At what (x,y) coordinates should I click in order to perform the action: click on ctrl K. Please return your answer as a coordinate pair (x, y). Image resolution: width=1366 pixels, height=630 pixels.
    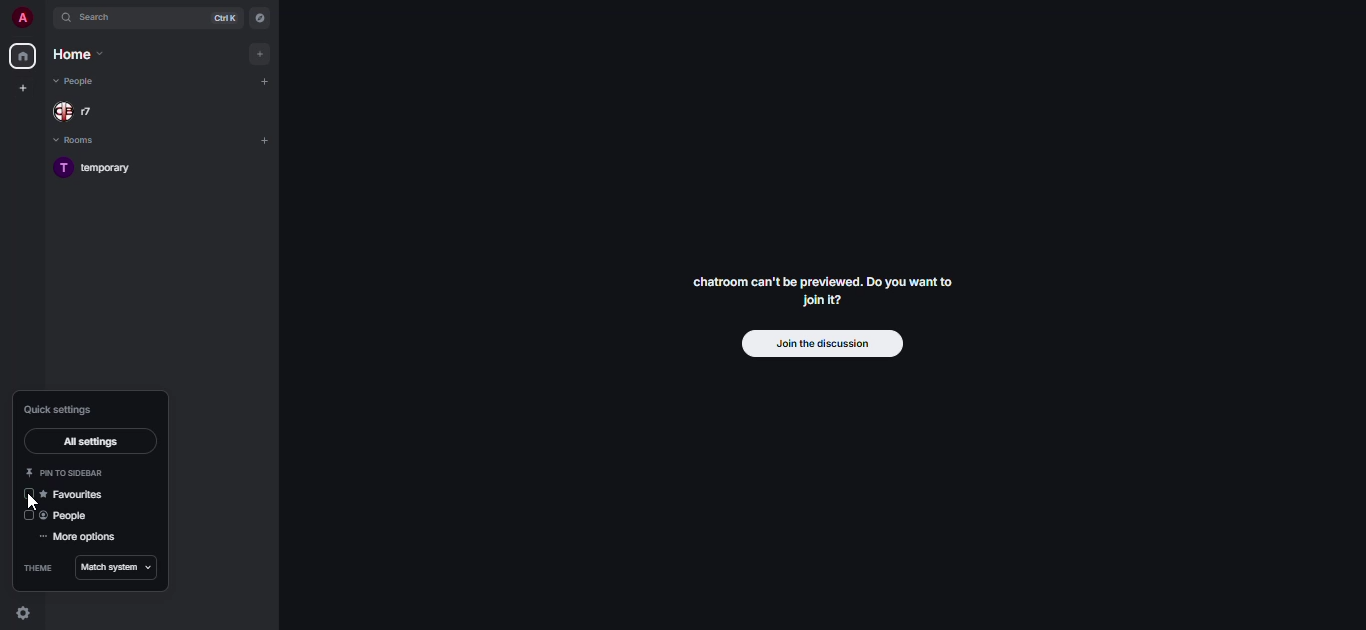
    Looking at the image, I should click on (220, 19).